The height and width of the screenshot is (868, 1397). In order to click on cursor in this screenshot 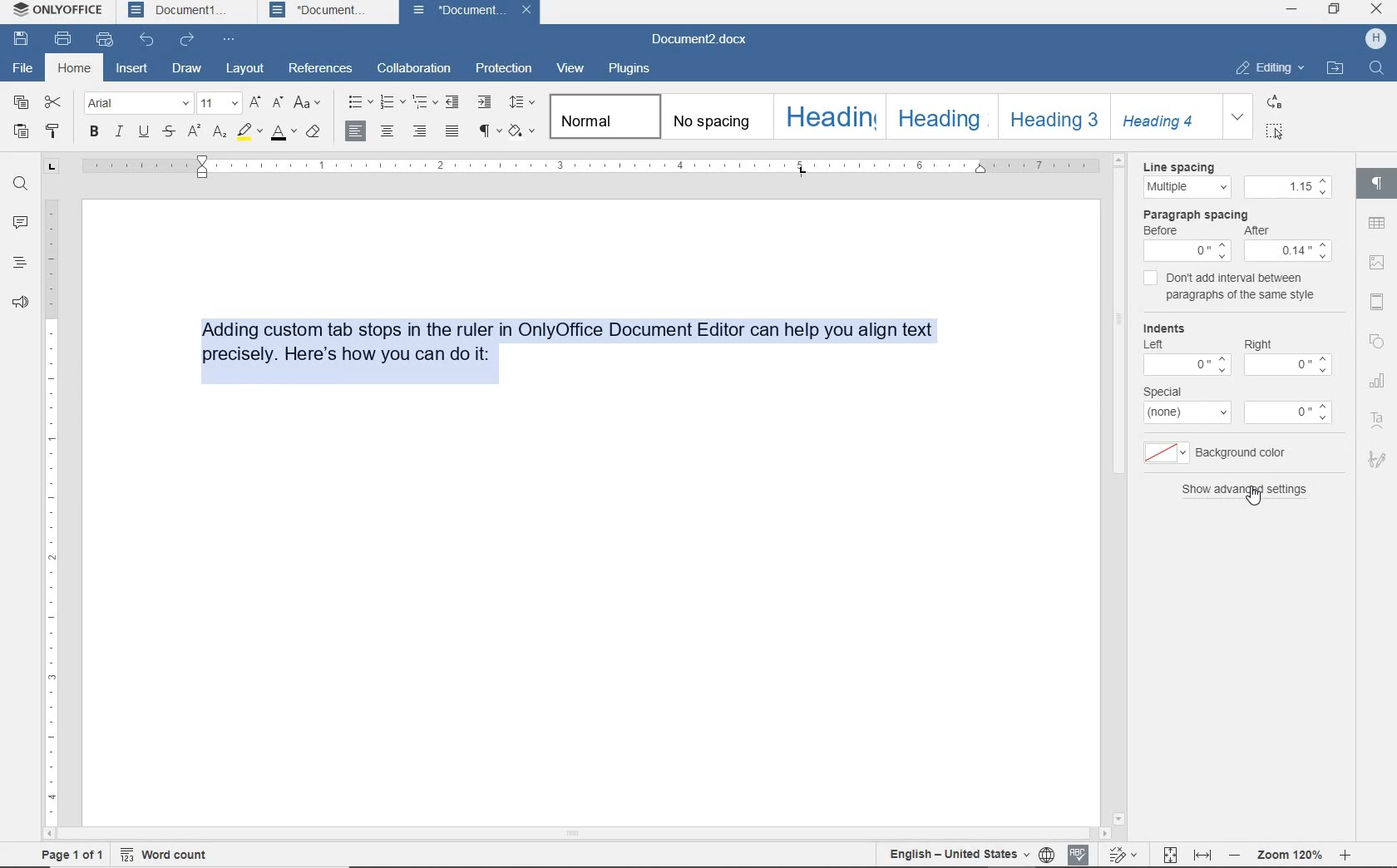, I will do `click(1281, 136)`.